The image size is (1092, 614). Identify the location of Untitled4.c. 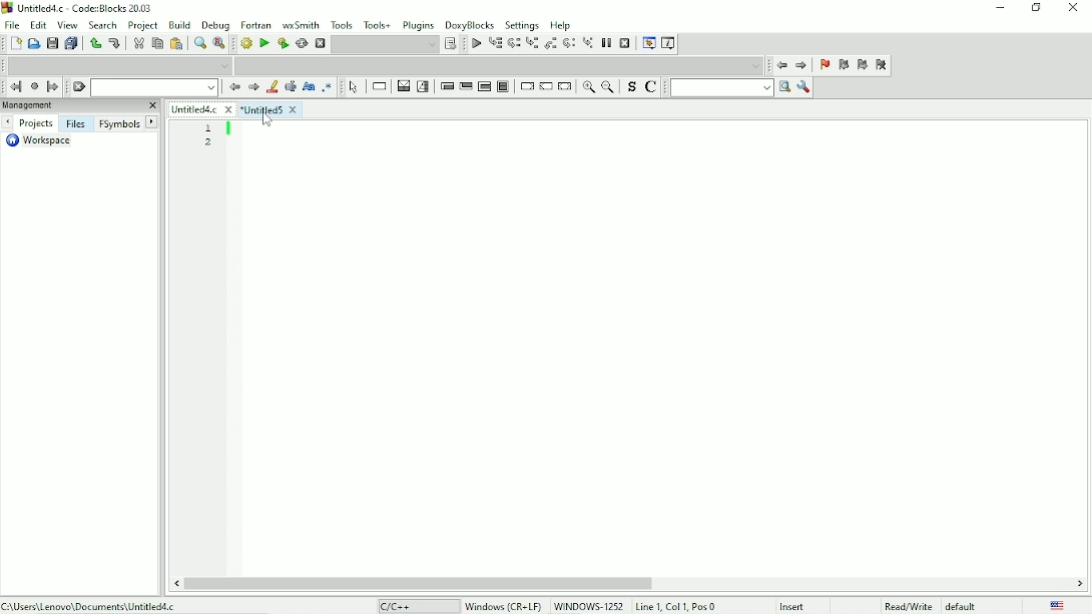
(201, 109).